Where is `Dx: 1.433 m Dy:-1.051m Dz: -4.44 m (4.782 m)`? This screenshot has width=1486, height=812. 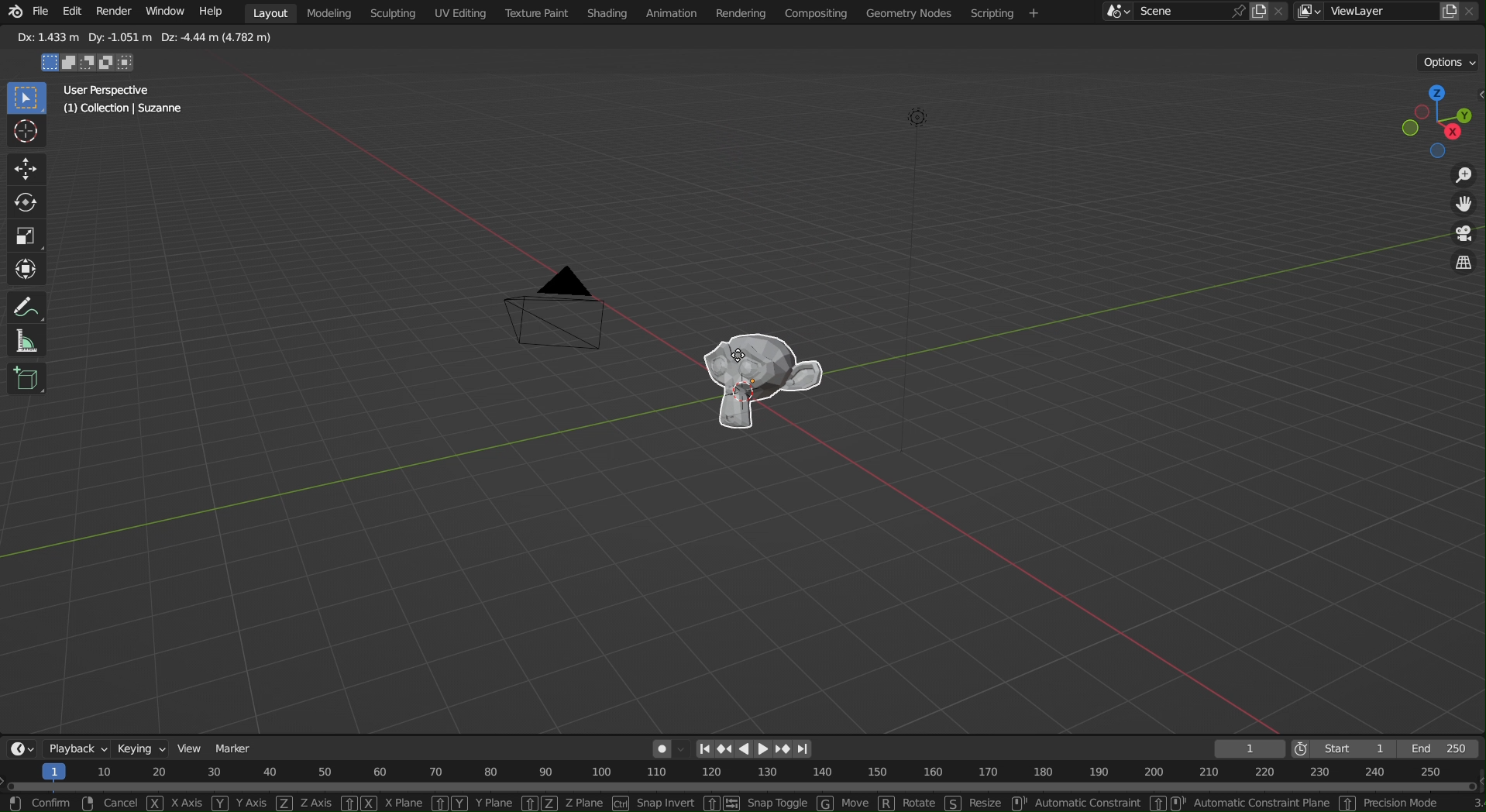 Dx: 1.433 m Dy:-1.051m Dz: -4.44 m (4.782 m) is located at coordinates (143, 38).